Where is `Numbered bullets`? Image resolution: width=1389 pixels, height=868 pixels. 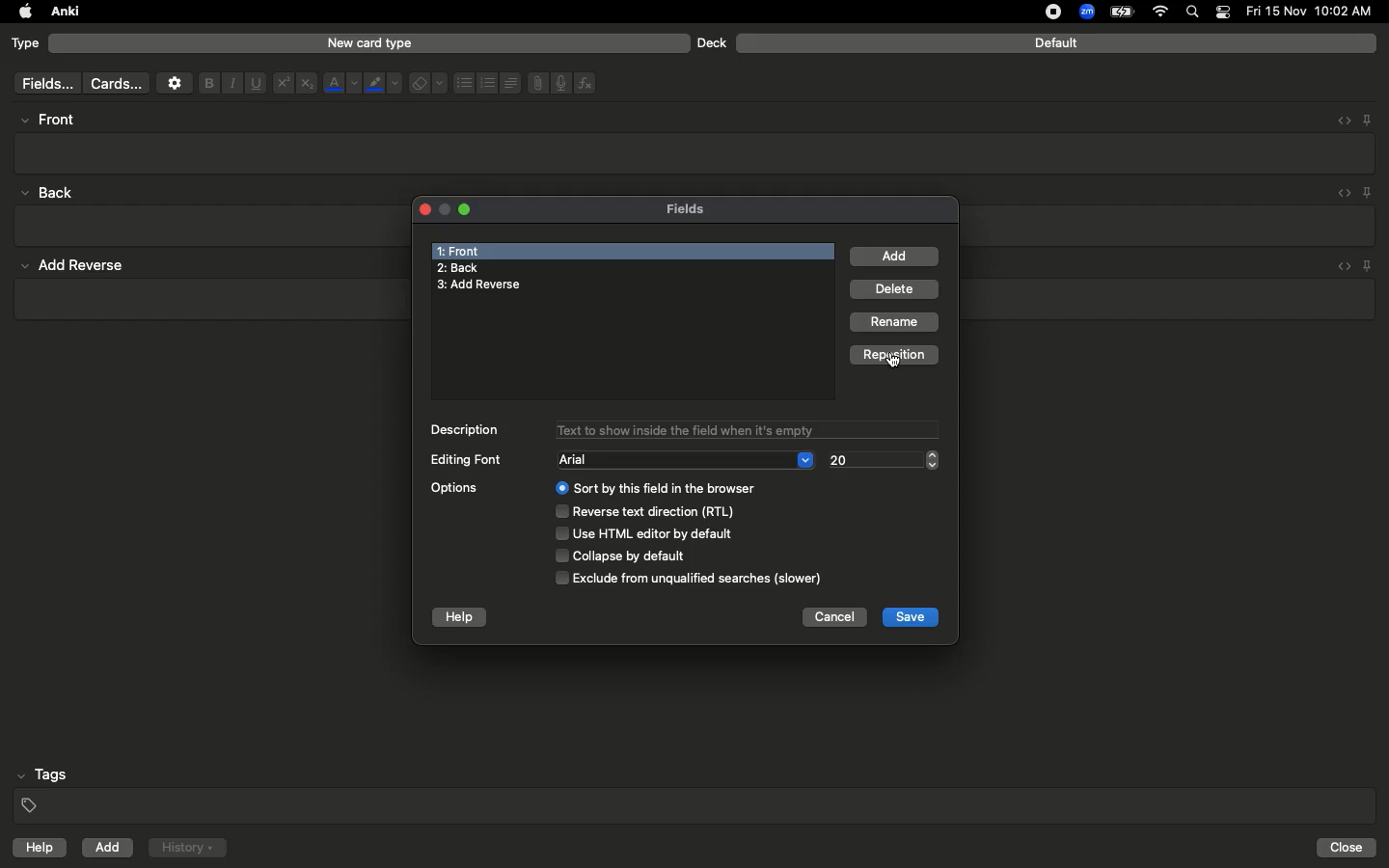
Numbered bullets is located at coordinates (488, 83).